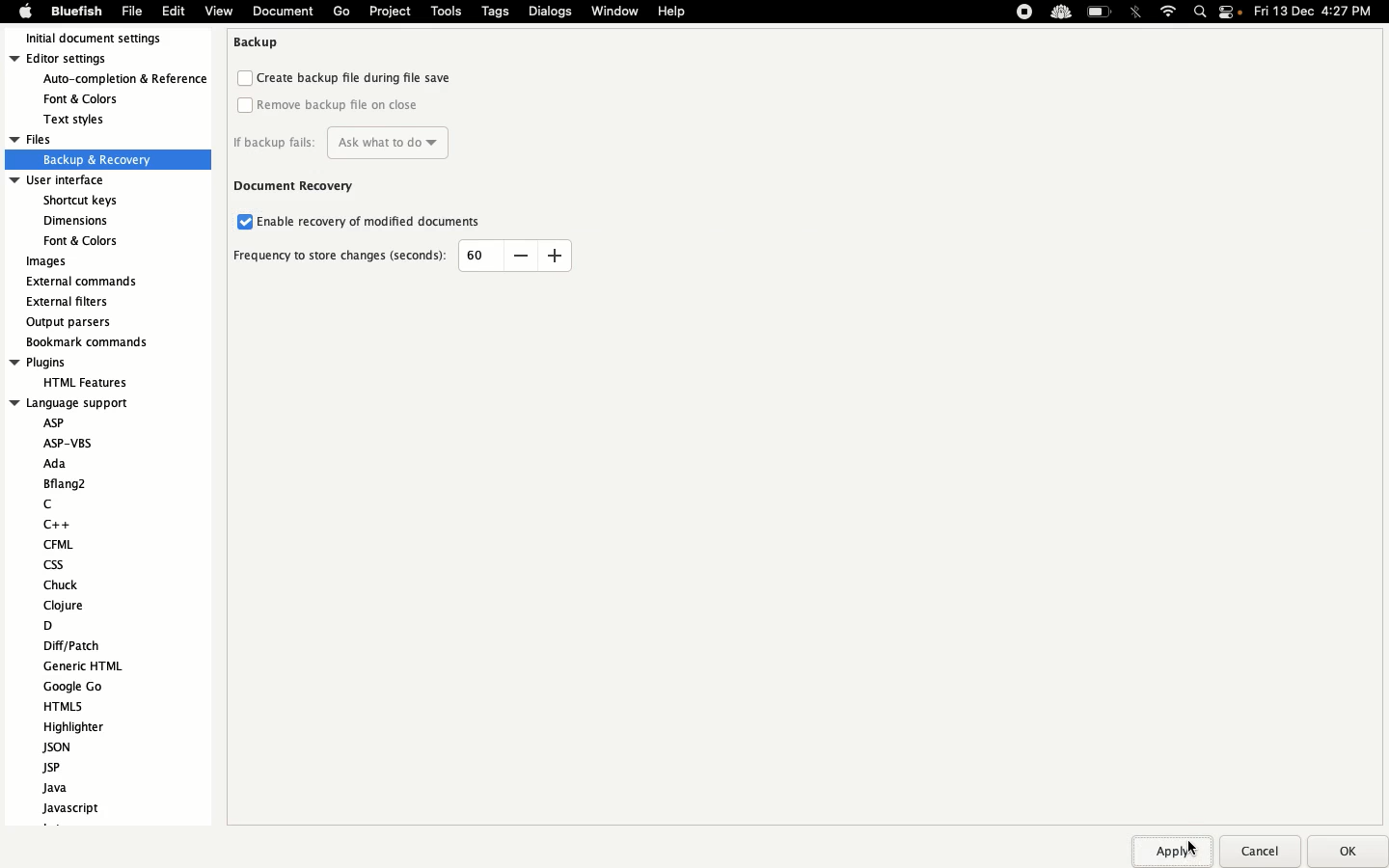 The height and width of the screenshot is (868, 1389). I want to click on 60, so click(475, 253).